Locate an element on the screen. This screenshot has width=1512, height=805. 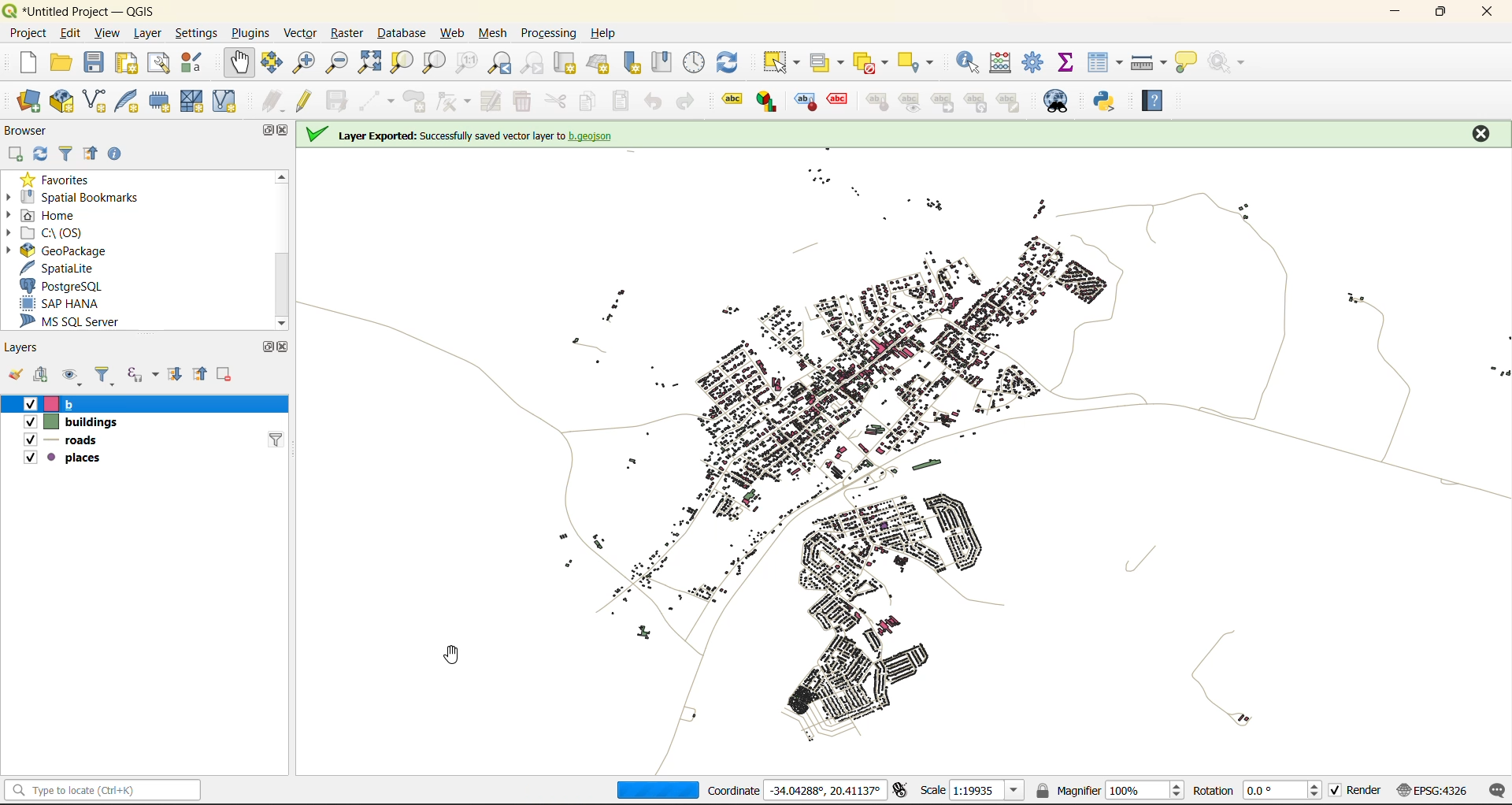
pin/unpin labels and diagrams is located at coordinates (875, 102).